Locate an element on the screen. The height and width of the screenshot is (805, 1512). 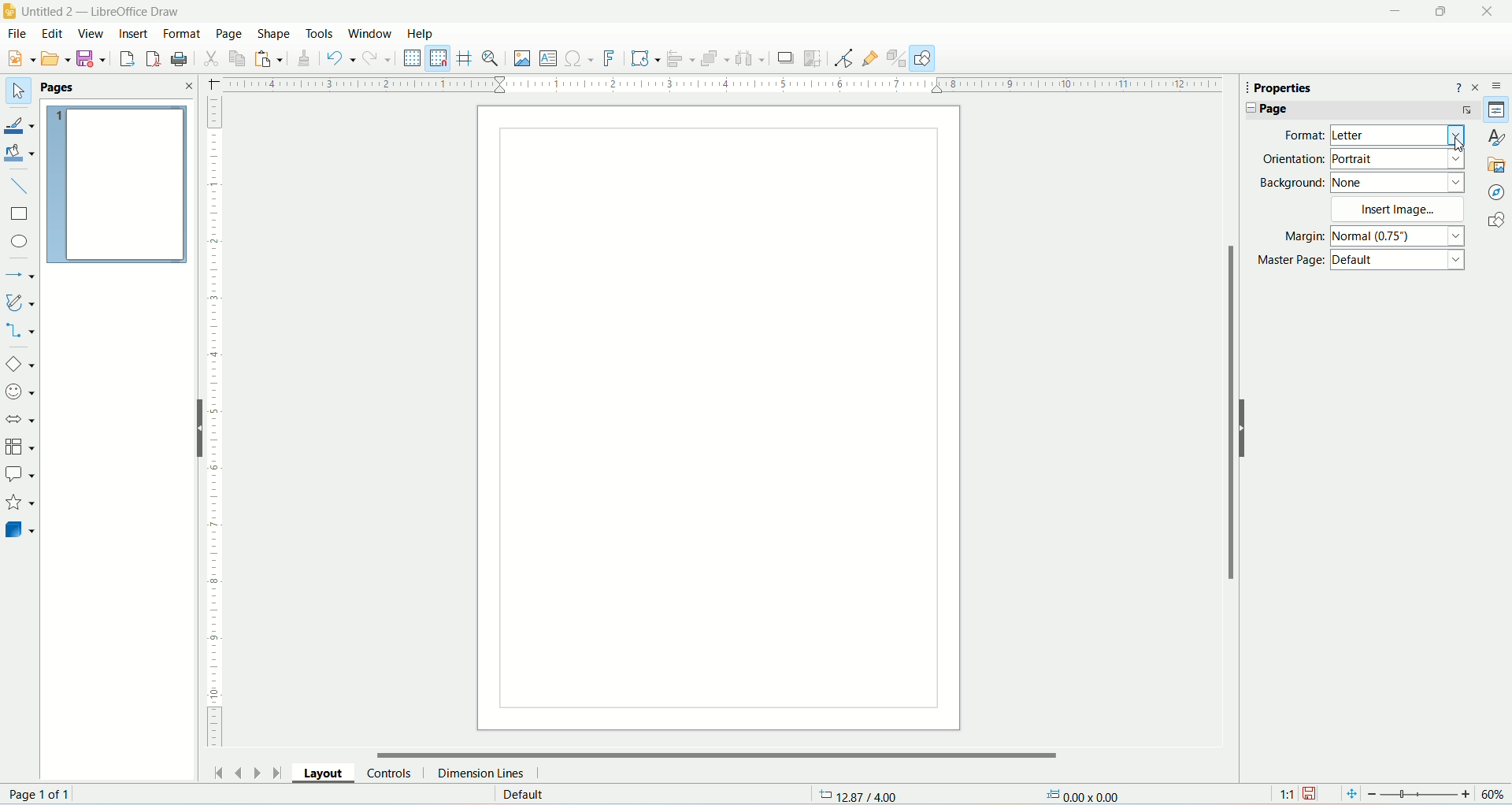
gluepoint function is located at coordinates (872, 57).